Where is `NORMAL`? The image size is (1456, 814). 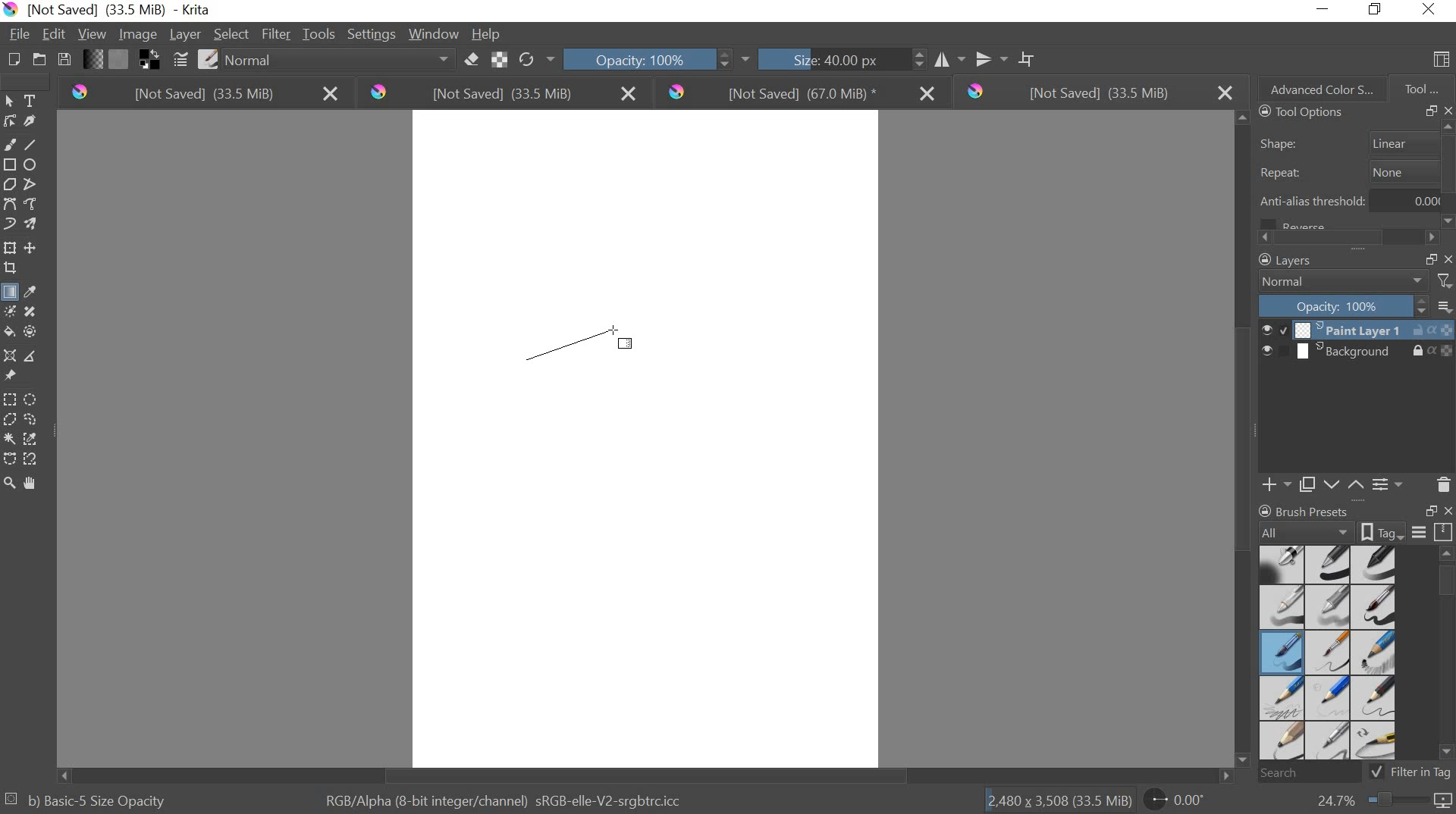
NORMAL is located at coordinates (1344, 282).